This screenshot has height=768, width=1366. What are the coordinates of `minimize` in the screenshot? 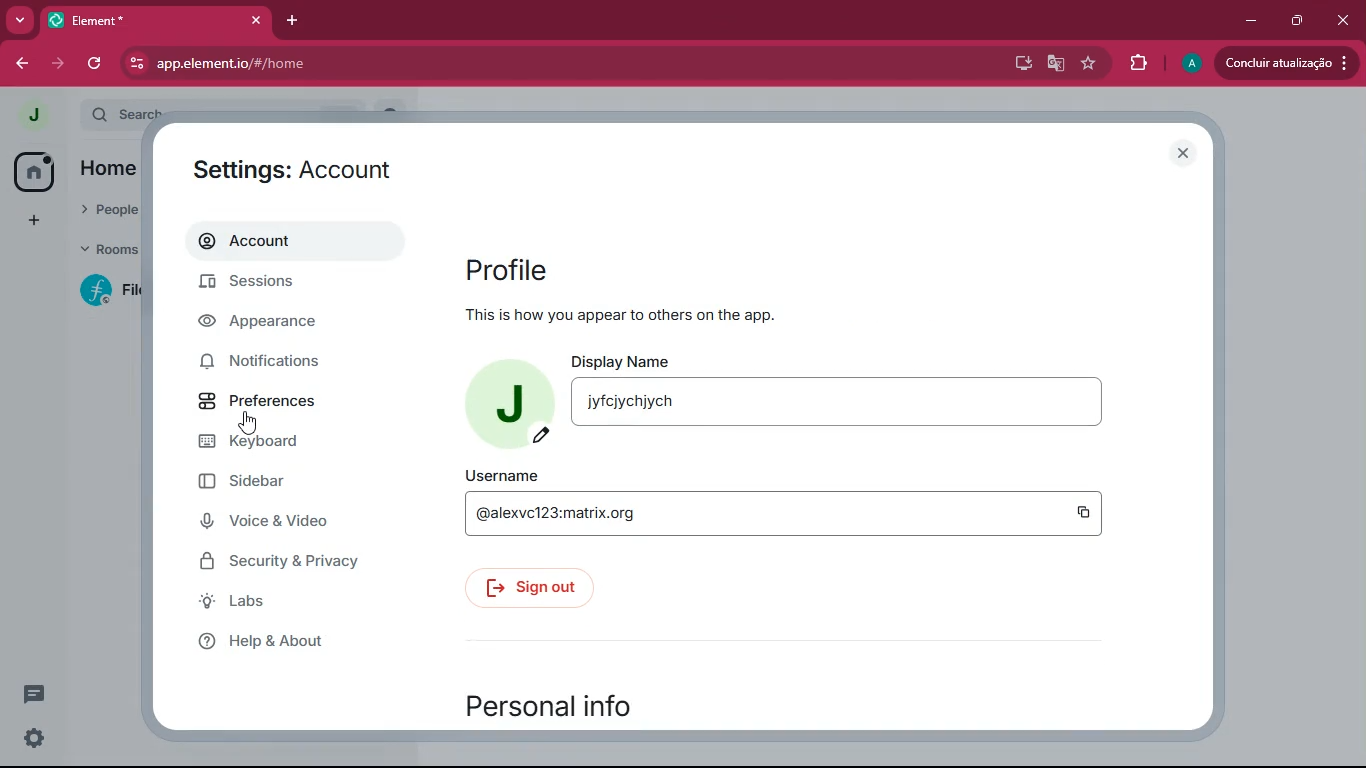 It's located at (1248, 20).